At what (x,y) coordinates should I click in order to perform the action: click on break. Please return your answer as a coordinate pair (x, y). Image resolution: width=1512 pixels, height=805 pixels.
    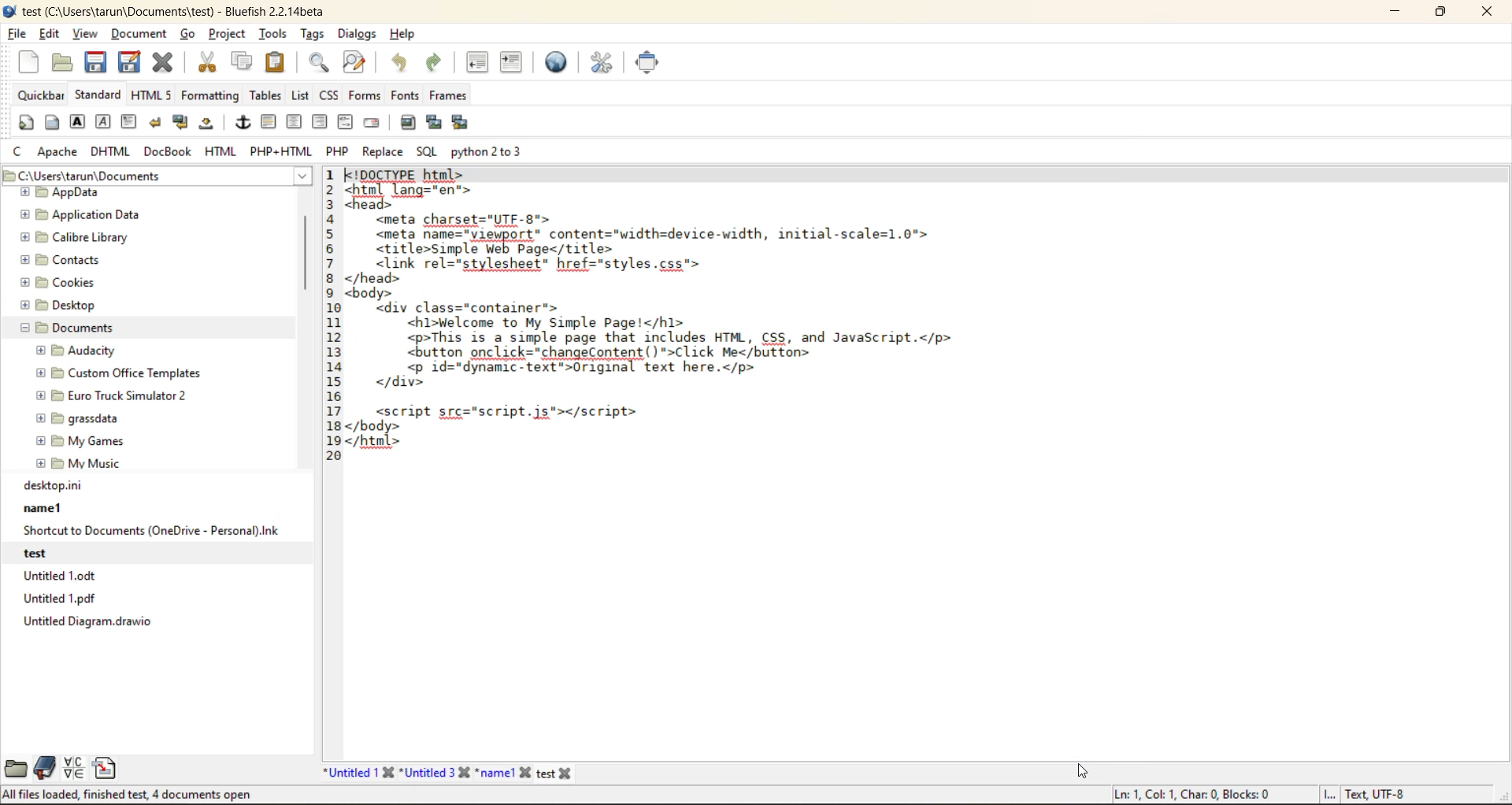
    Looking at the image, I should click on (157, 123).